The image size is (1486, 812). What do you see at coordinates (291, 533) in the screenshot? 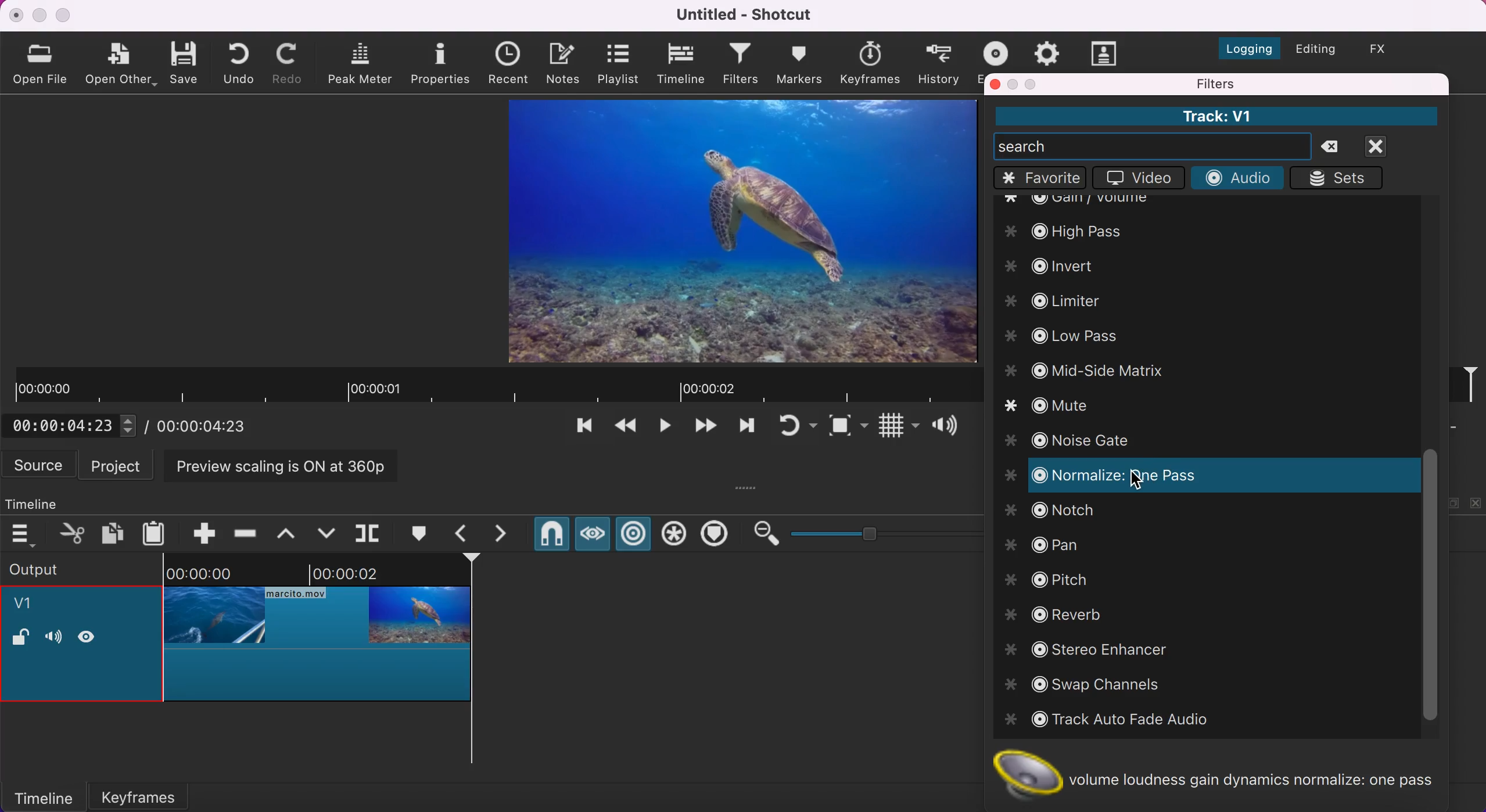
I see `lift` at bounding box center [291, 533].